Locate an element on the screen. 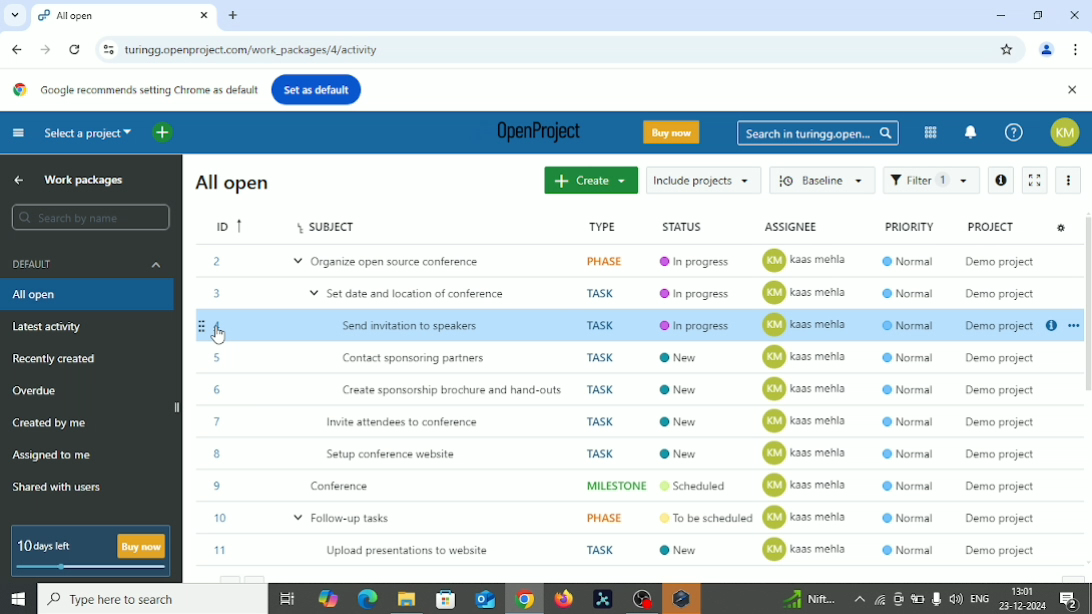 The height and width of the screenshot is (614, 1092). Assignee is located at coordinates (807, 226).